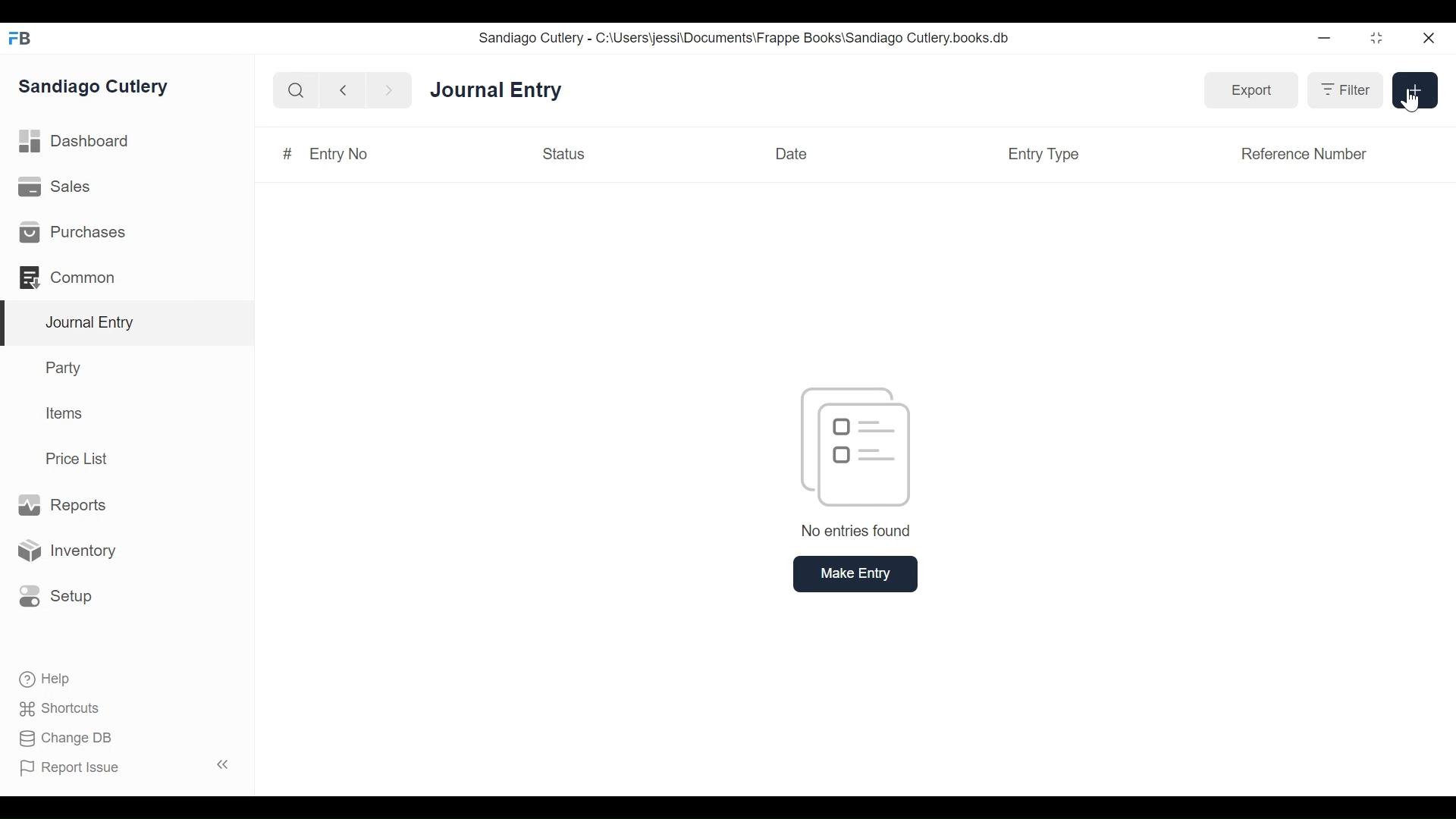 The width and height of the screenshot is (1456, 819). Describe the element at coordinates (76, 142) in the screenshot. I see `Dashboard` at that location.